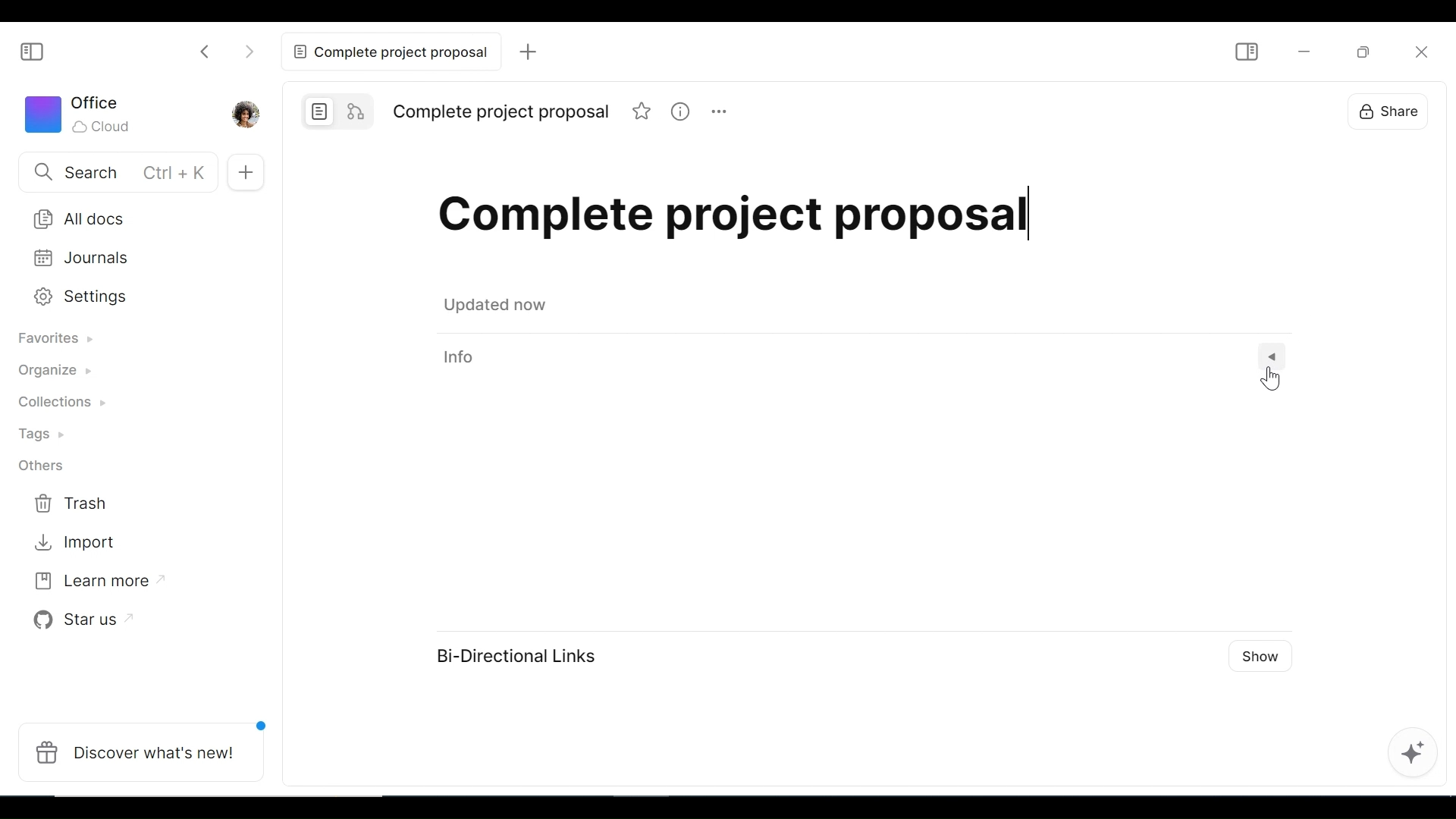 This screenshot has width=1456, height=819. What do you see at coordinates (249, 171) in the screenshot?
I see `Add New ` at bounding box center [249, 171].